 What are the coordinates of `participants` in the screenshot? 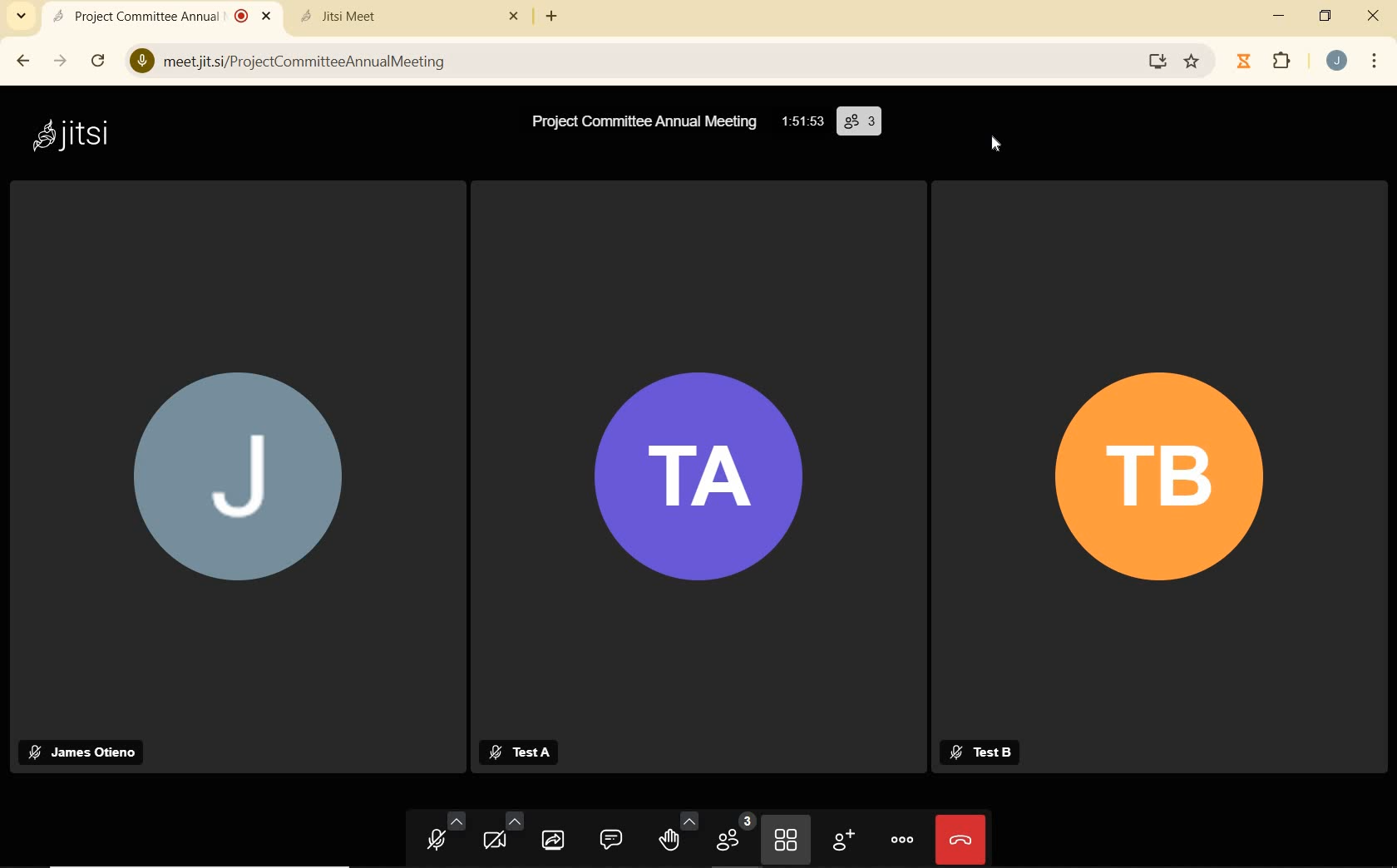 It's located at (734, 833).